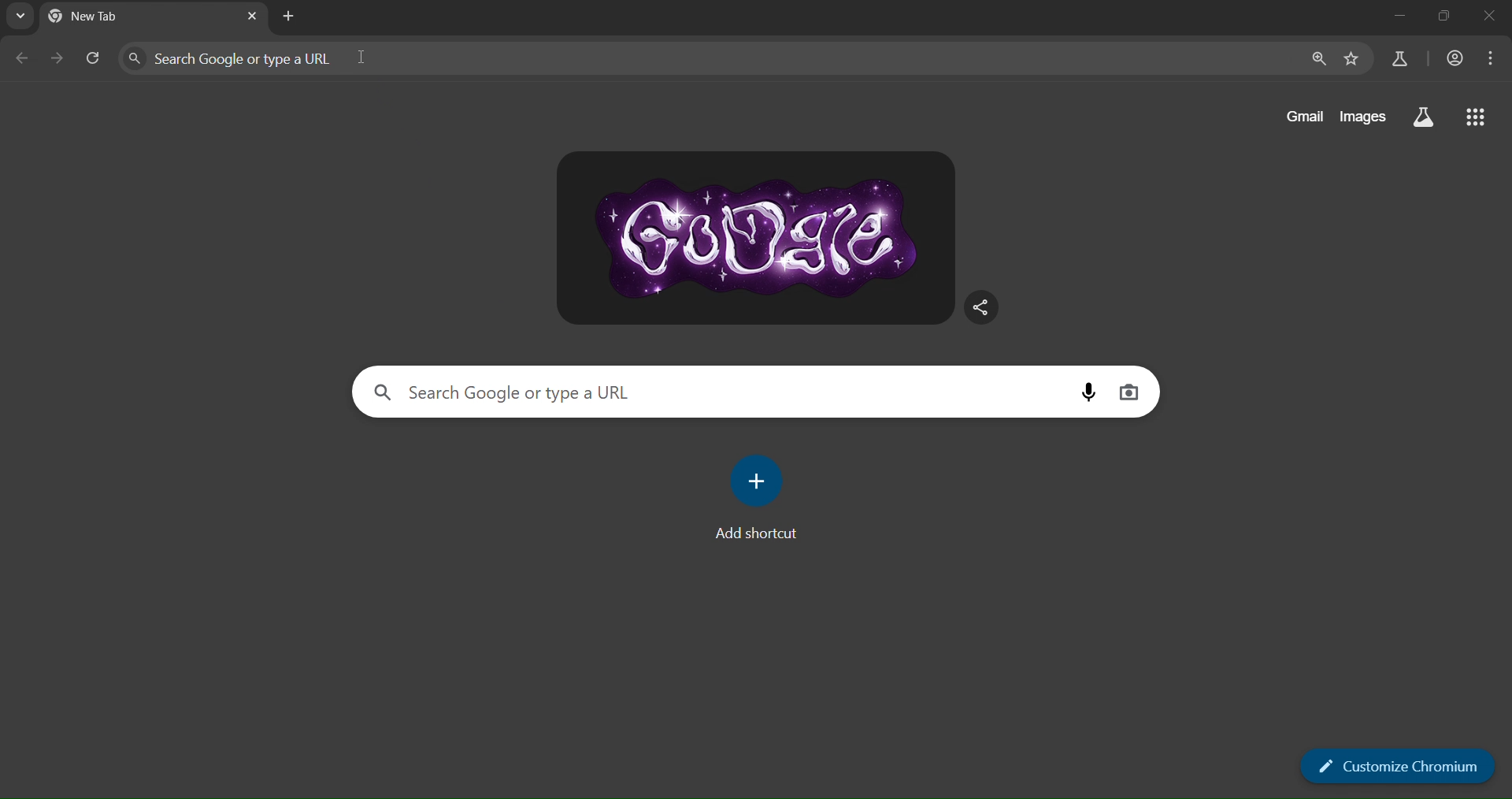  I want to click on images, so click(1363, 116).